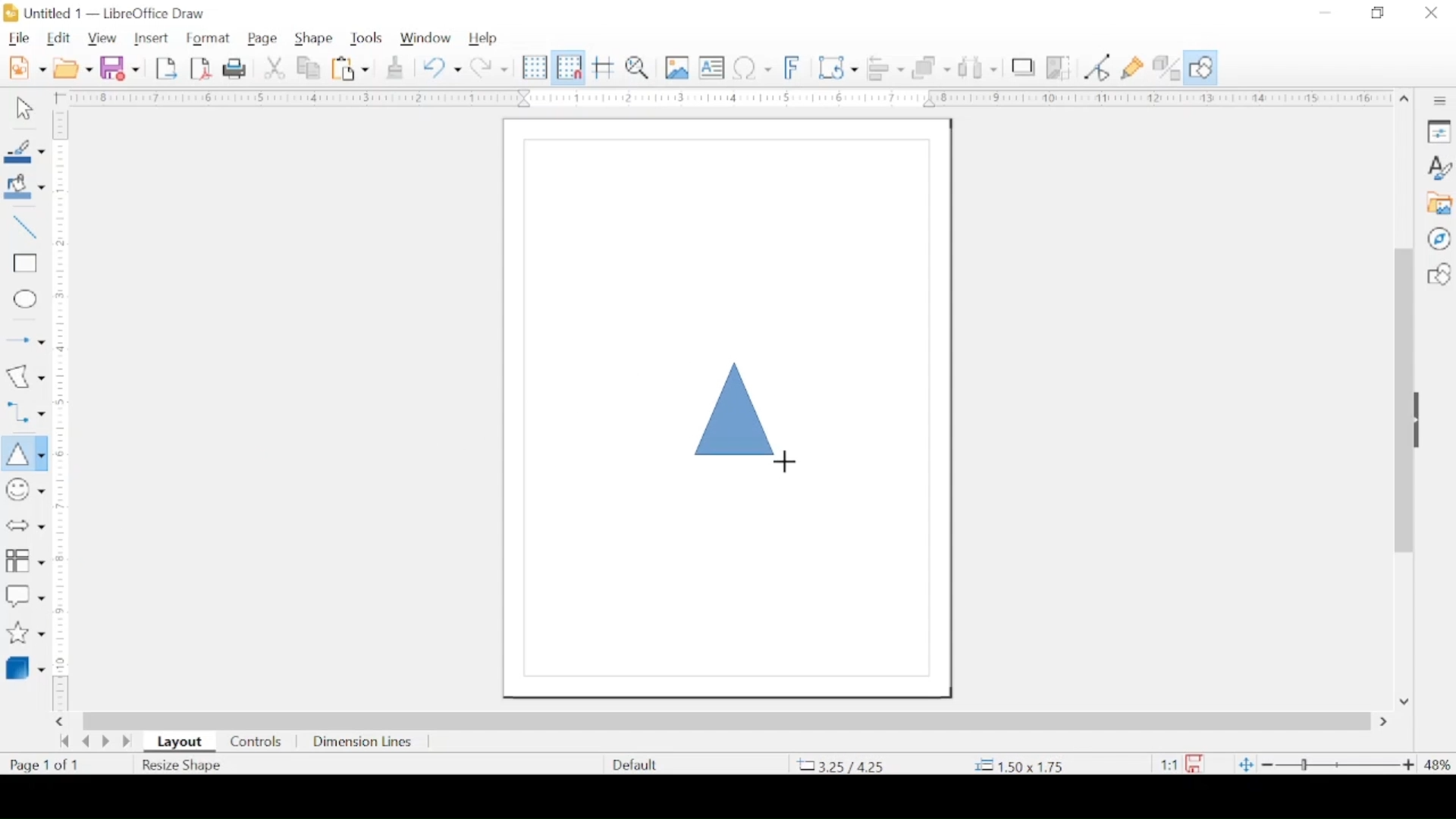 The width and height of the screenshot is (1456, 819). Describe the element at coordinates (568, 67) in the screenshot. I see `snap to grid` at that location.